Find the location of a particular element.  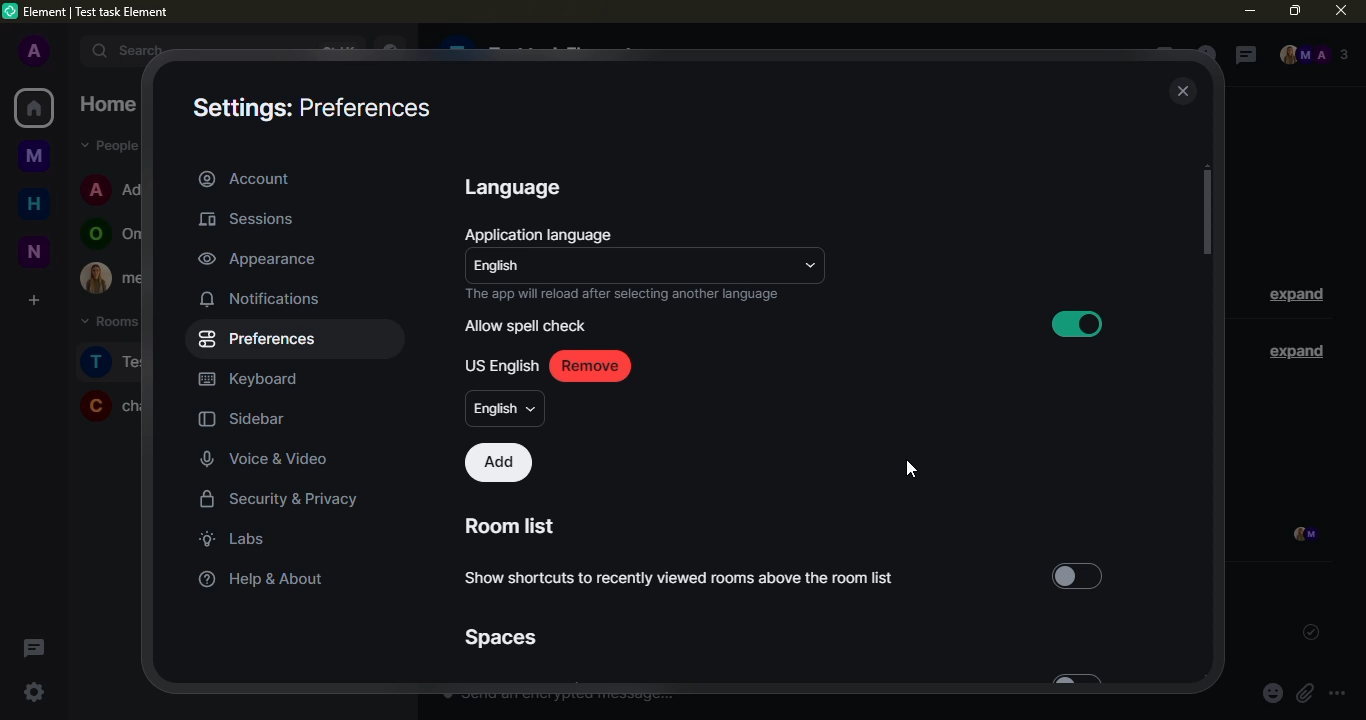

sidebar is located at coordinates (242, 420).